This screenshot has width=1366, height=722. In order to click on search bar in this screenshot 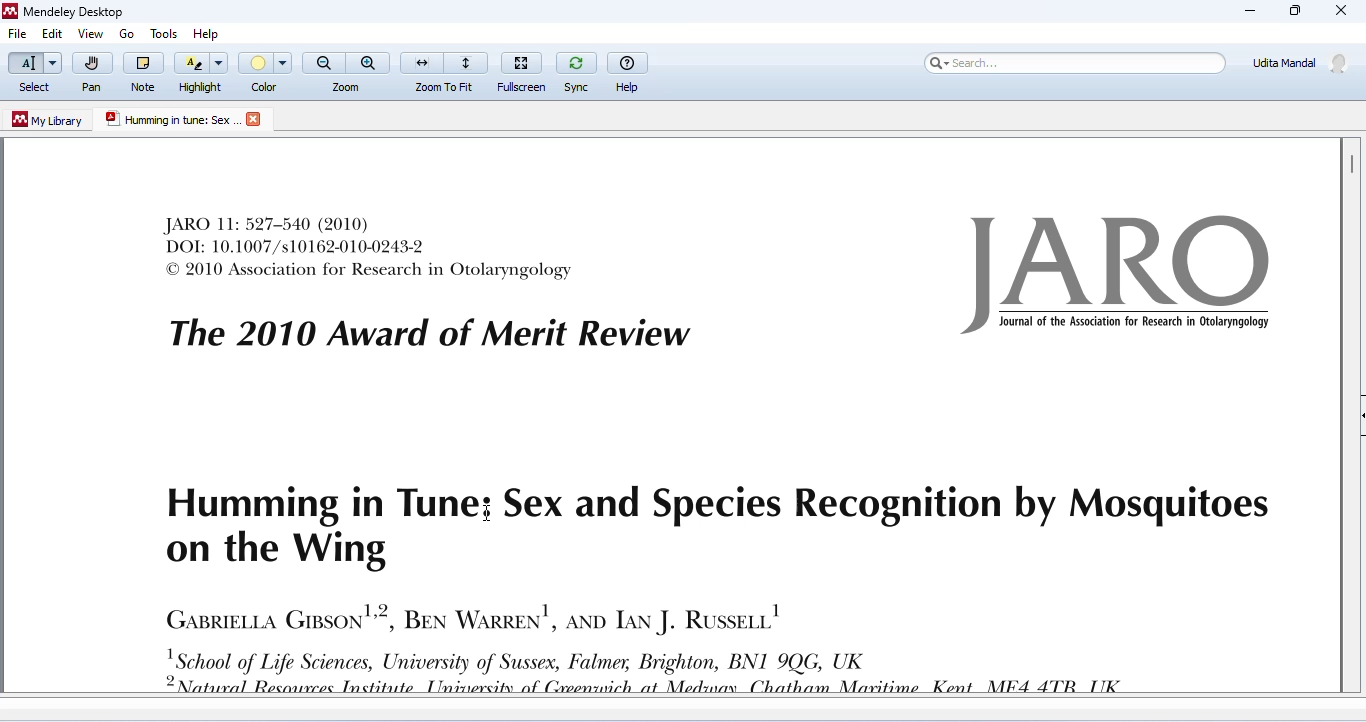, I will do `click(1072, 62)`.